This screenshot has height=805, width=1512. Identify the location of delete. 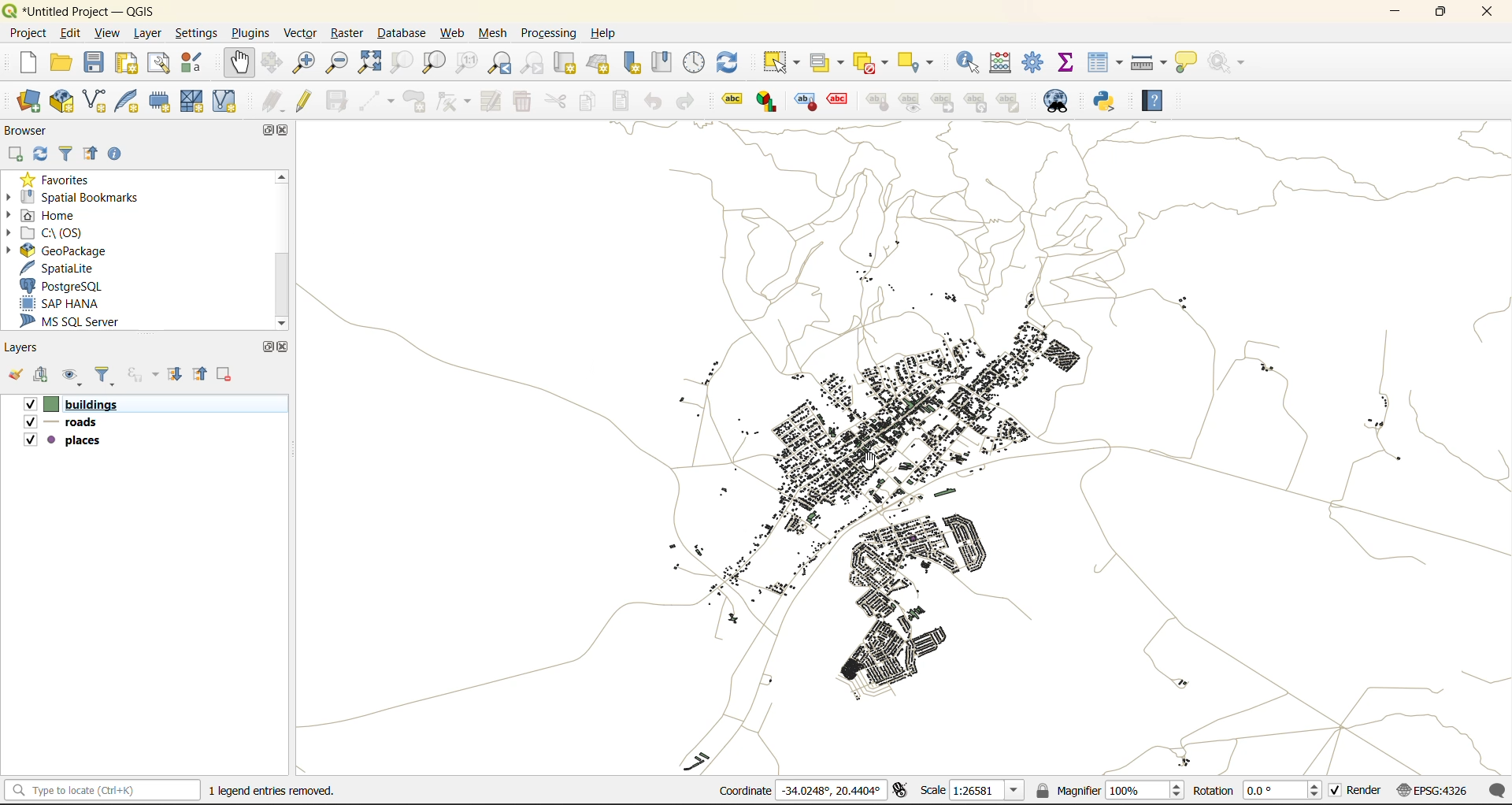
(524, 102).